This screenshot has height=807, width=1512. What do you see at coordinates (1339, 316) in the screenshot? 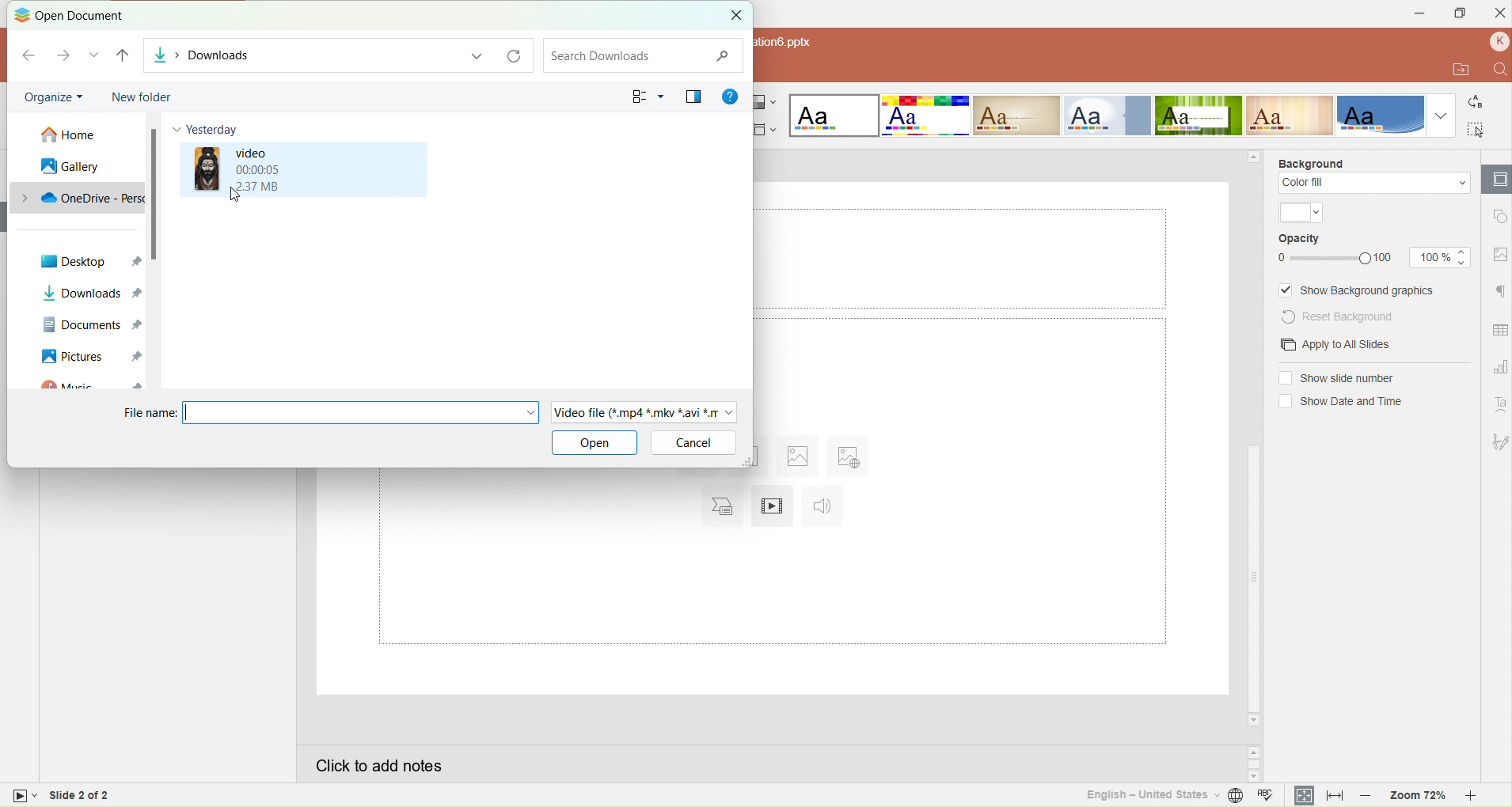
I see `Reset background` at bounding box center [1339, 316].